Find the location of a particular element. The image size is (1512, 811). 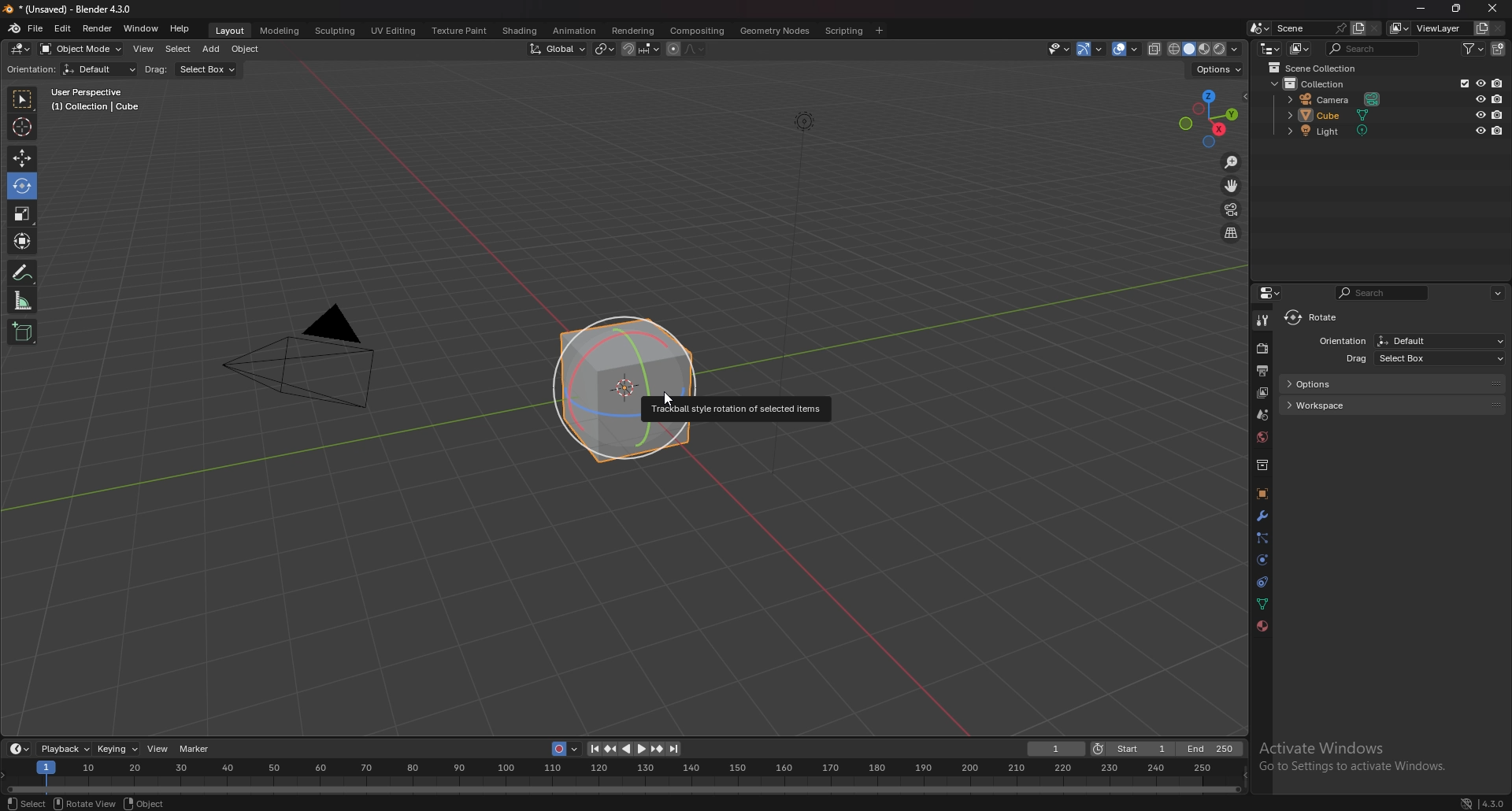

add cube is located at coordinates (23, 332).